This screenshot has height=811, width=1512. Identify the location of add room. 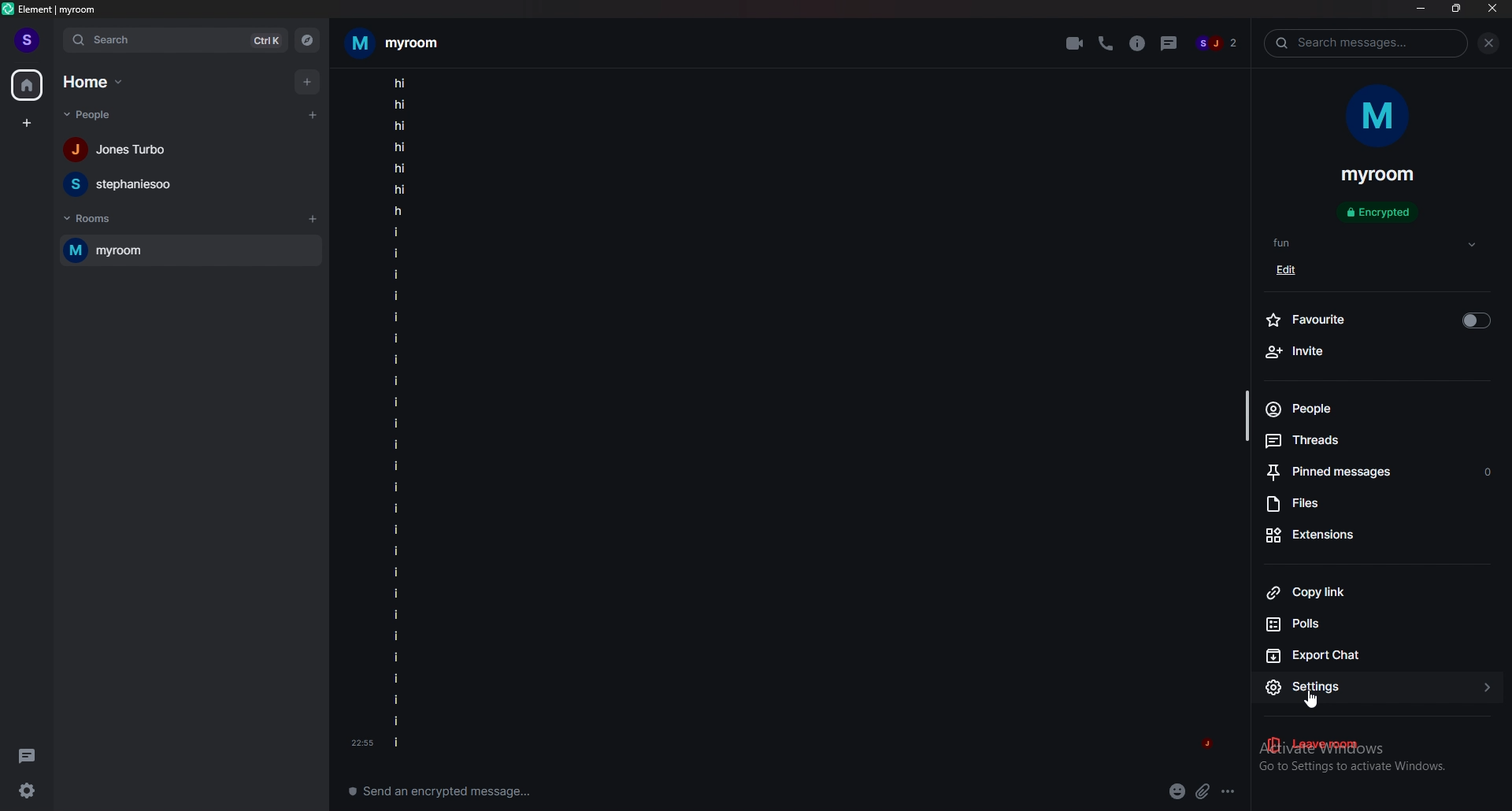
(313, 219).